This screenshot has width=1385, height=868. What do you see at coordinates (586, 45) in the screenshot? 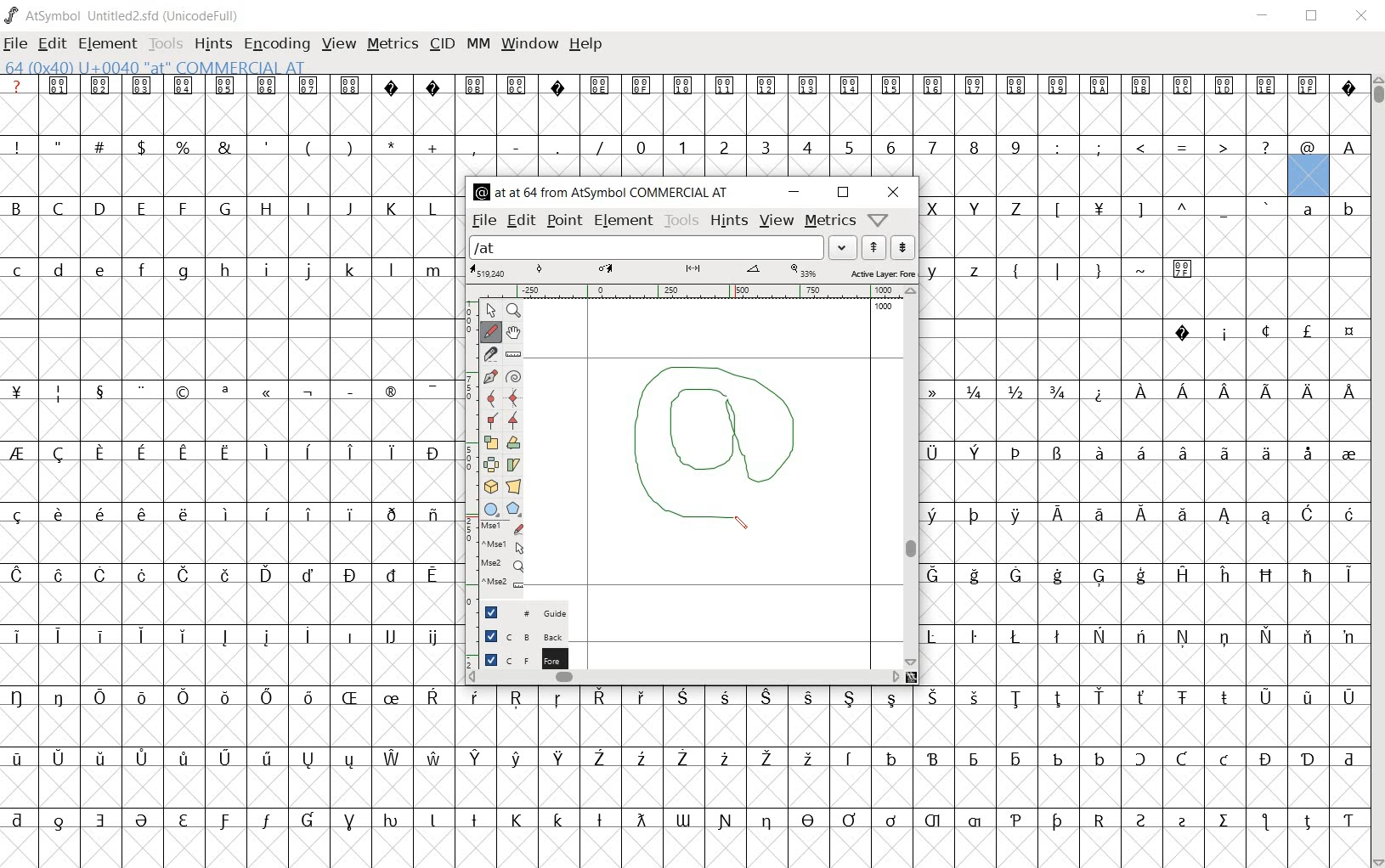
I see `HELP` at bounding box center [586, 45].